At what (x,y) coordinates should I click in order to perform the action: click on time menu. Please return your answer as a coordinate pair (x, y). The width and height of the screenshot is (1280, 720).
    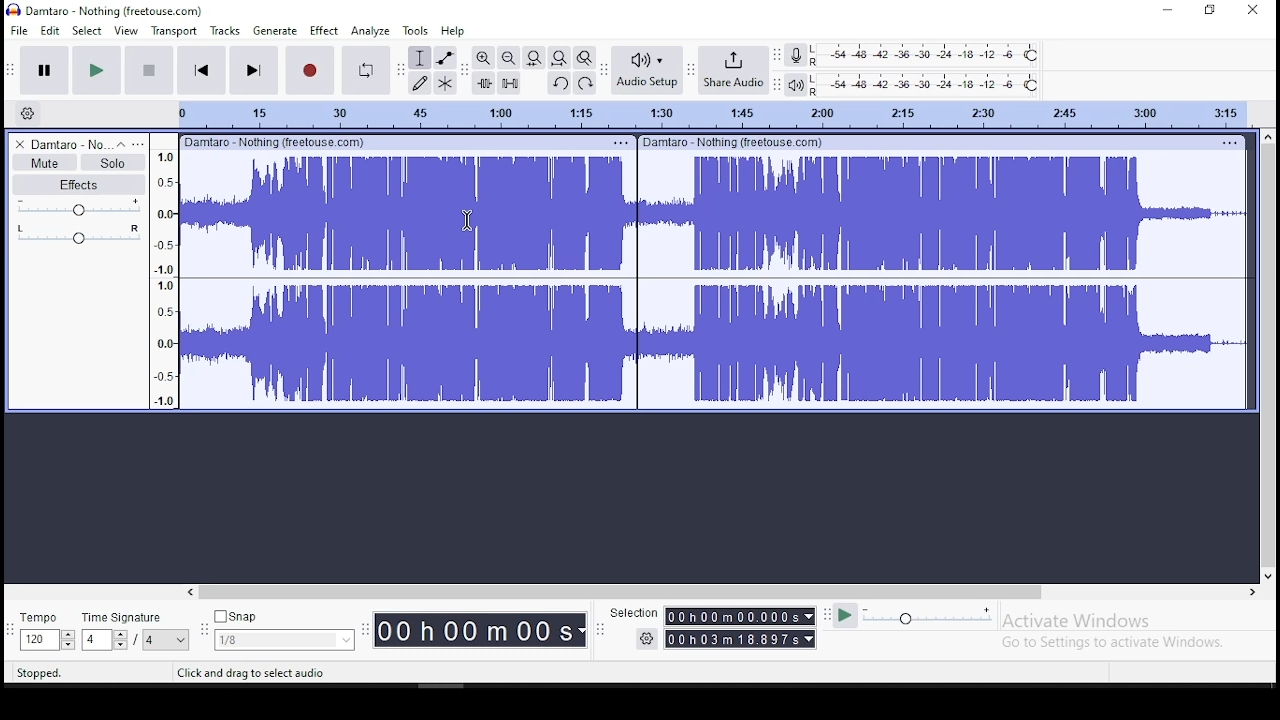
    Looking at the image, I should click on (480, 630).